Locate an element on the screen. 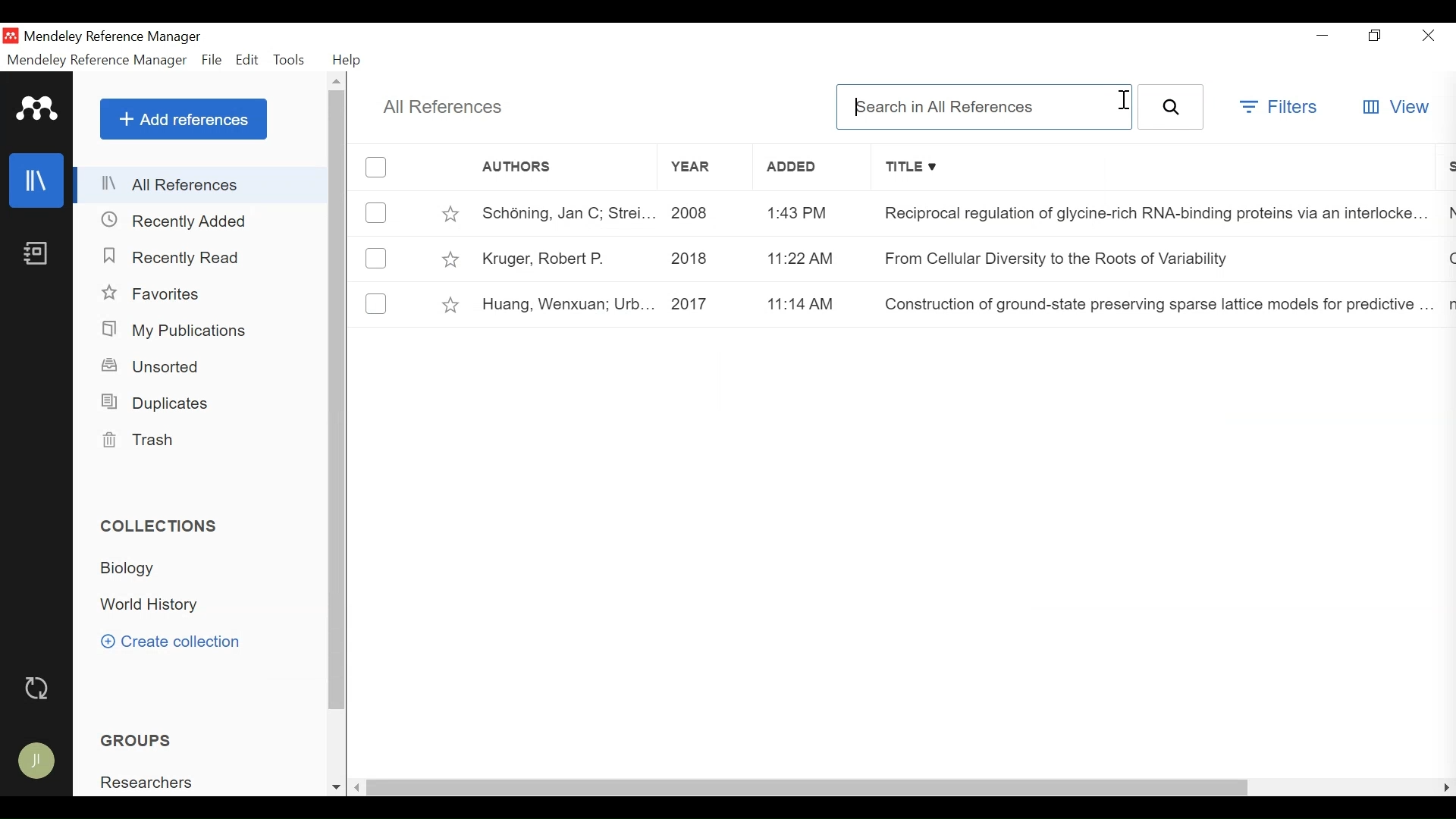 This screenshot has height=819, width=1456. Collection is located at coordinates (153, 604).